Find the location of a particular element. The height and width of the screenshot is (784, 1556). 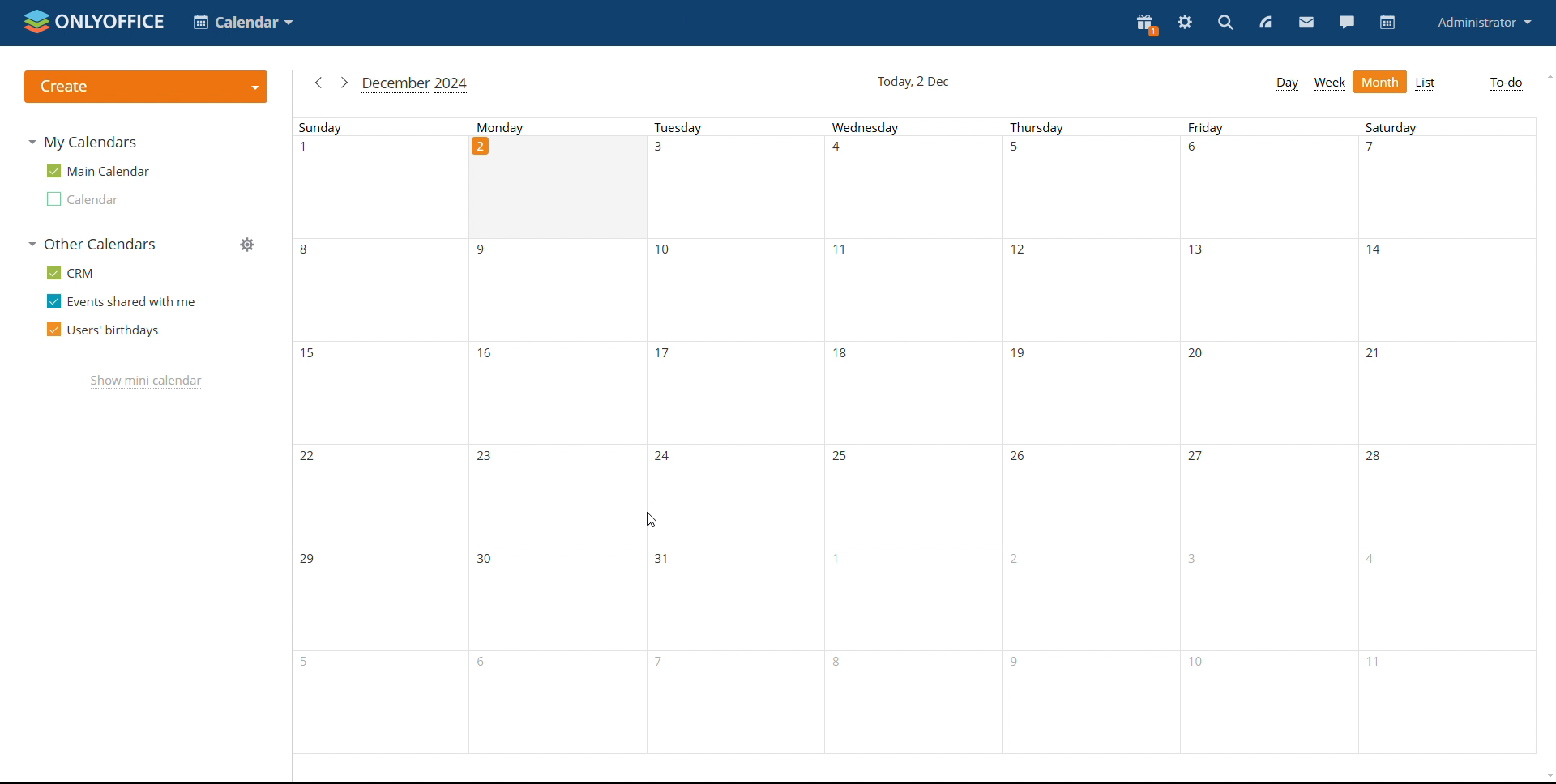

month view is located at coordinates (1379, 81).